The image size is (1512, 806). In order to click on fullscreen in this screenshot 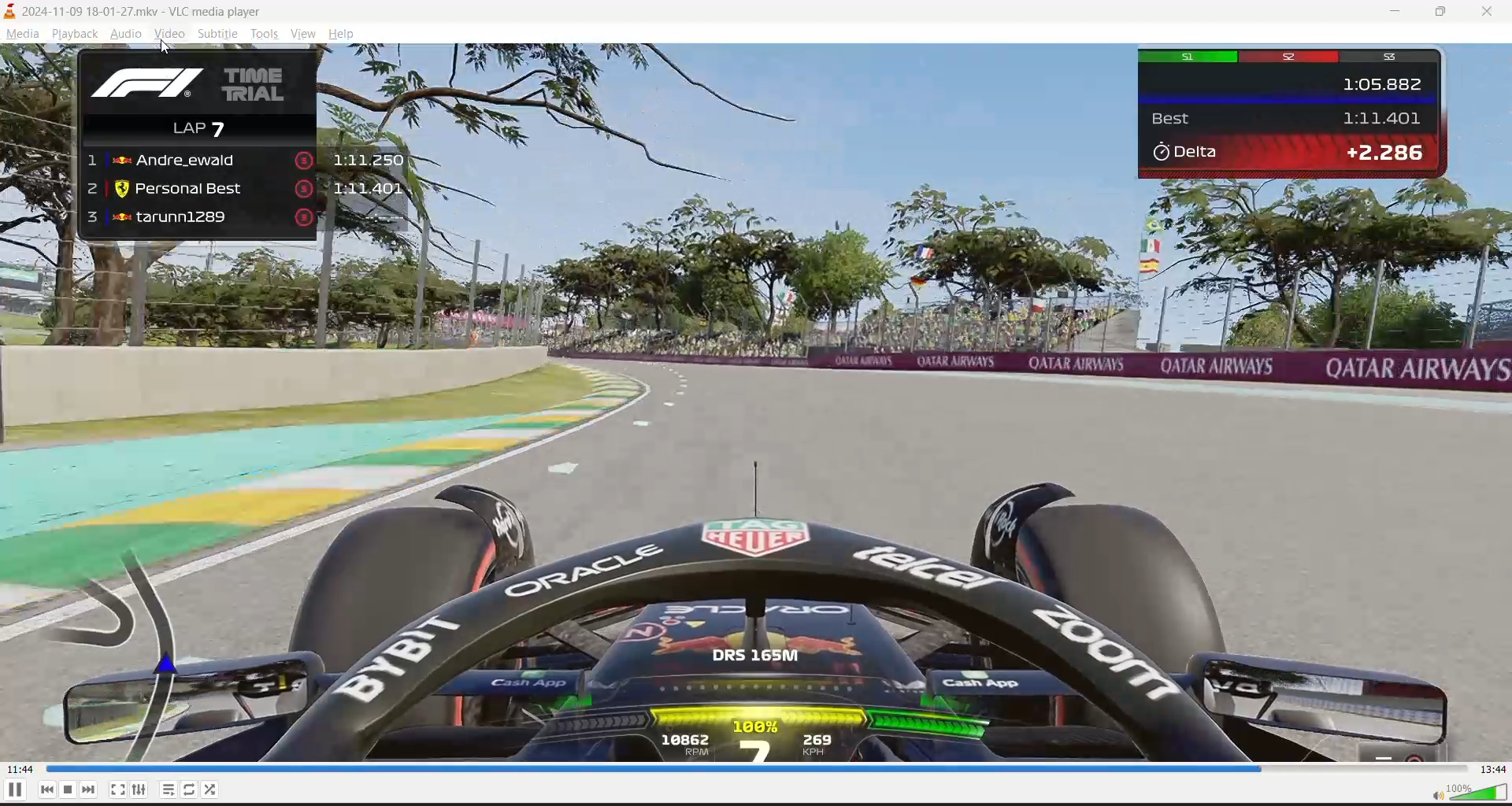, I will do `click(119, 786)`.